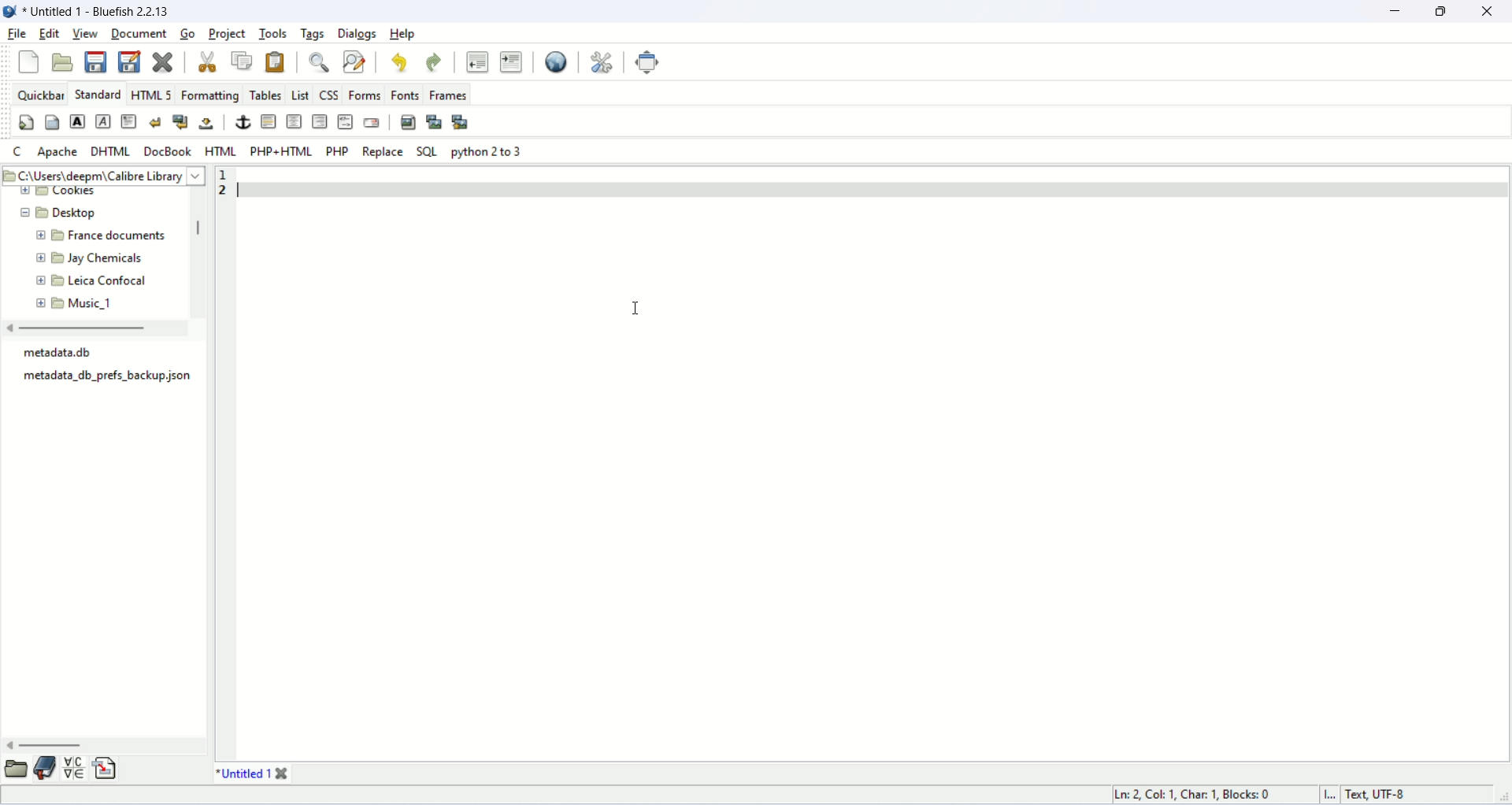 This screenshot has width=1512, height=805. What do you see at coordinates (98, 747) in the screenshot?
I see `scroll bar` at bounding box center [98, 747].